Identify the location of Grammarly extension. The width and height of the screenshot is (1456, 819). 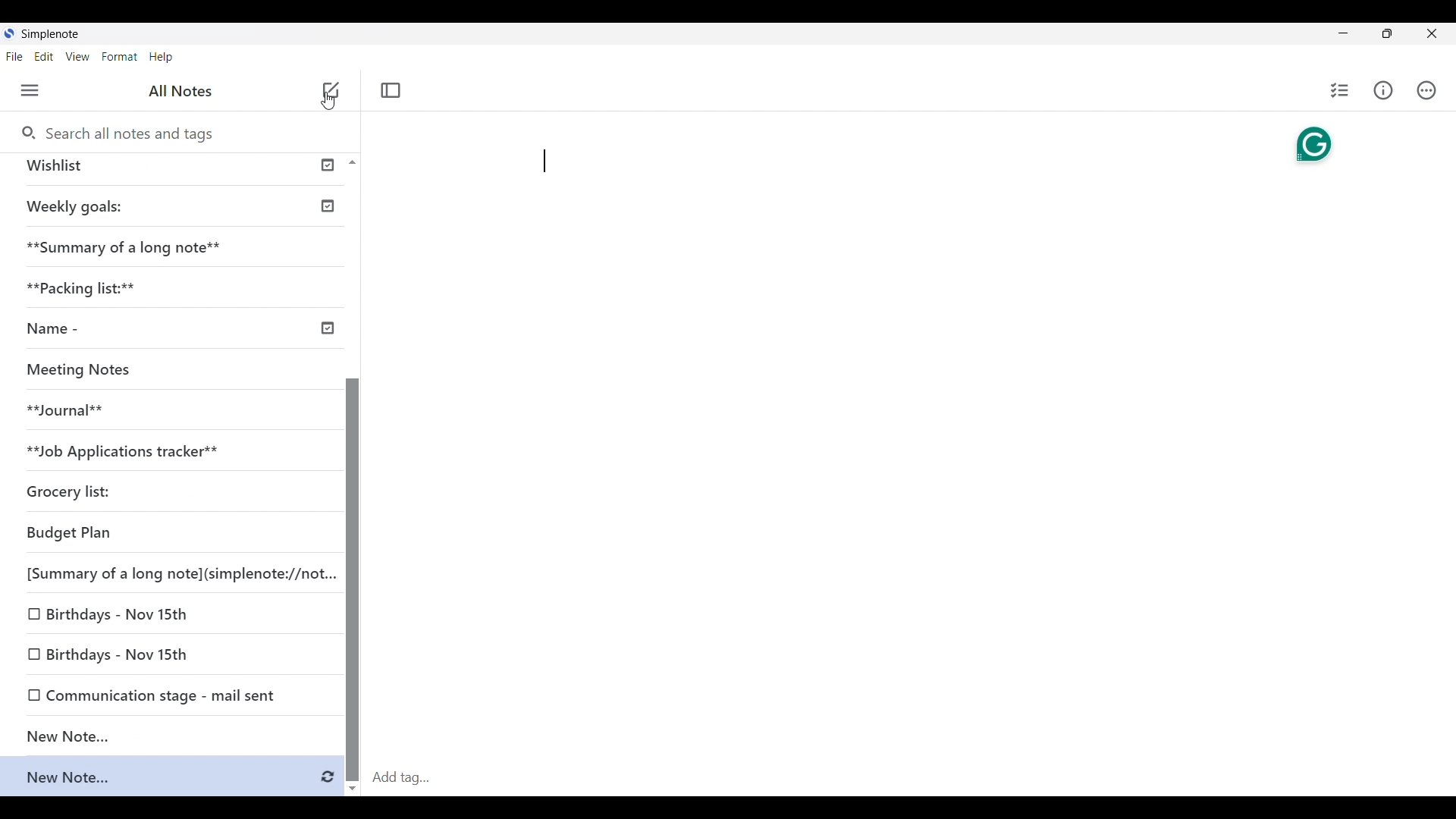
(1313, 145).